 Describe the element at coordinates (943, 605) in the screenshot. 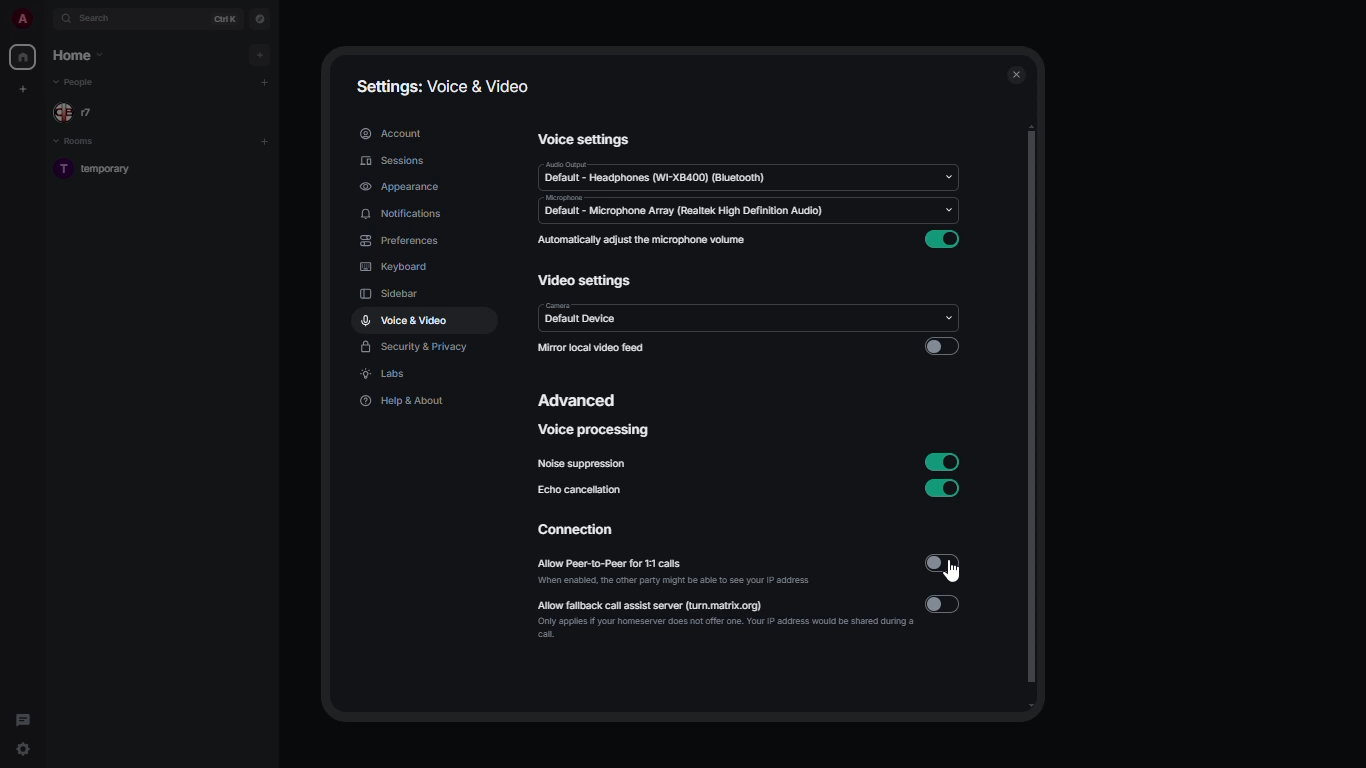

I see `disabled` at that location.